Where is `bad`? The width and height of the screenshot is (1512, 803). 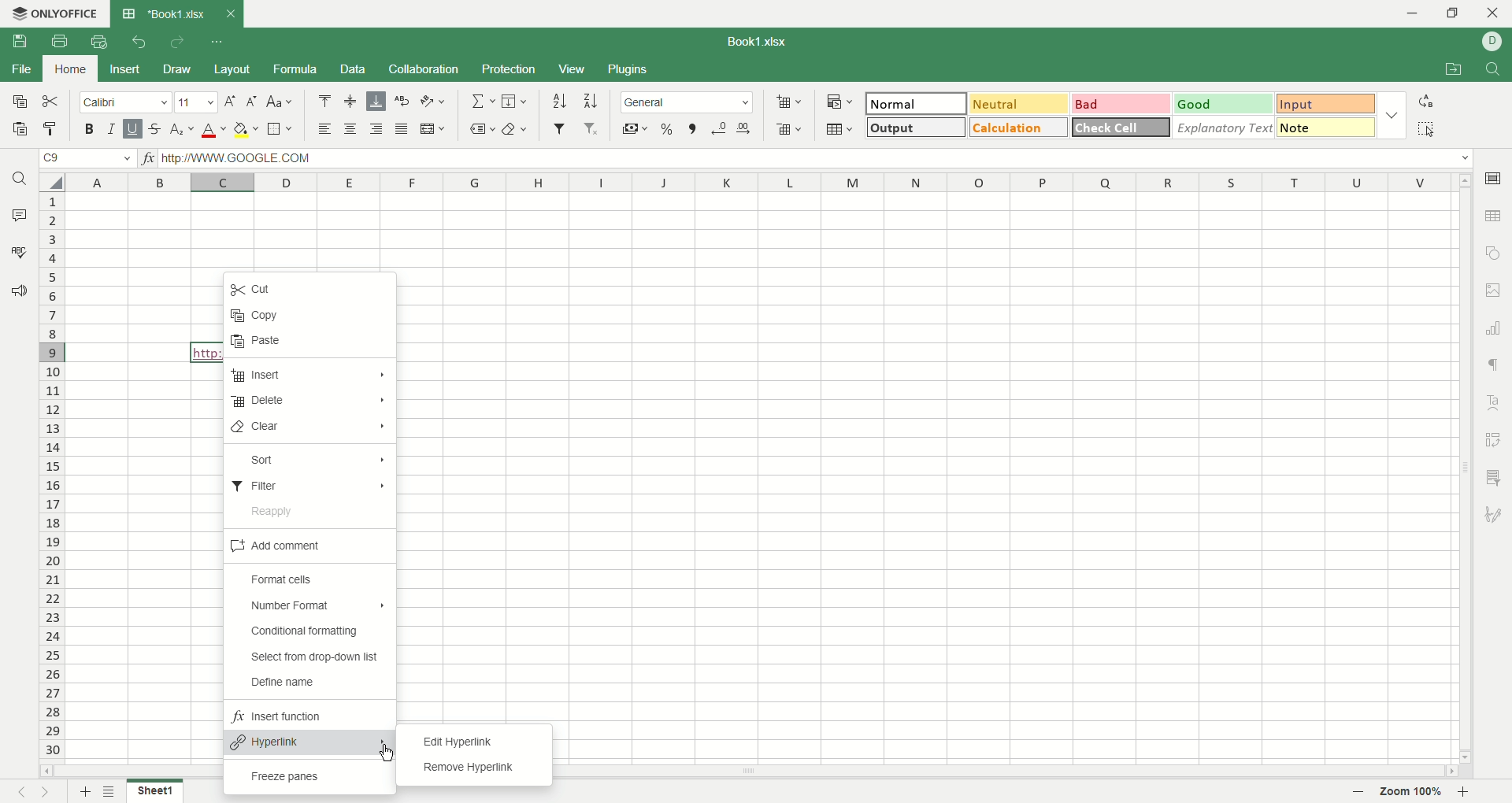
bad is located at coordinates (1121, 102).